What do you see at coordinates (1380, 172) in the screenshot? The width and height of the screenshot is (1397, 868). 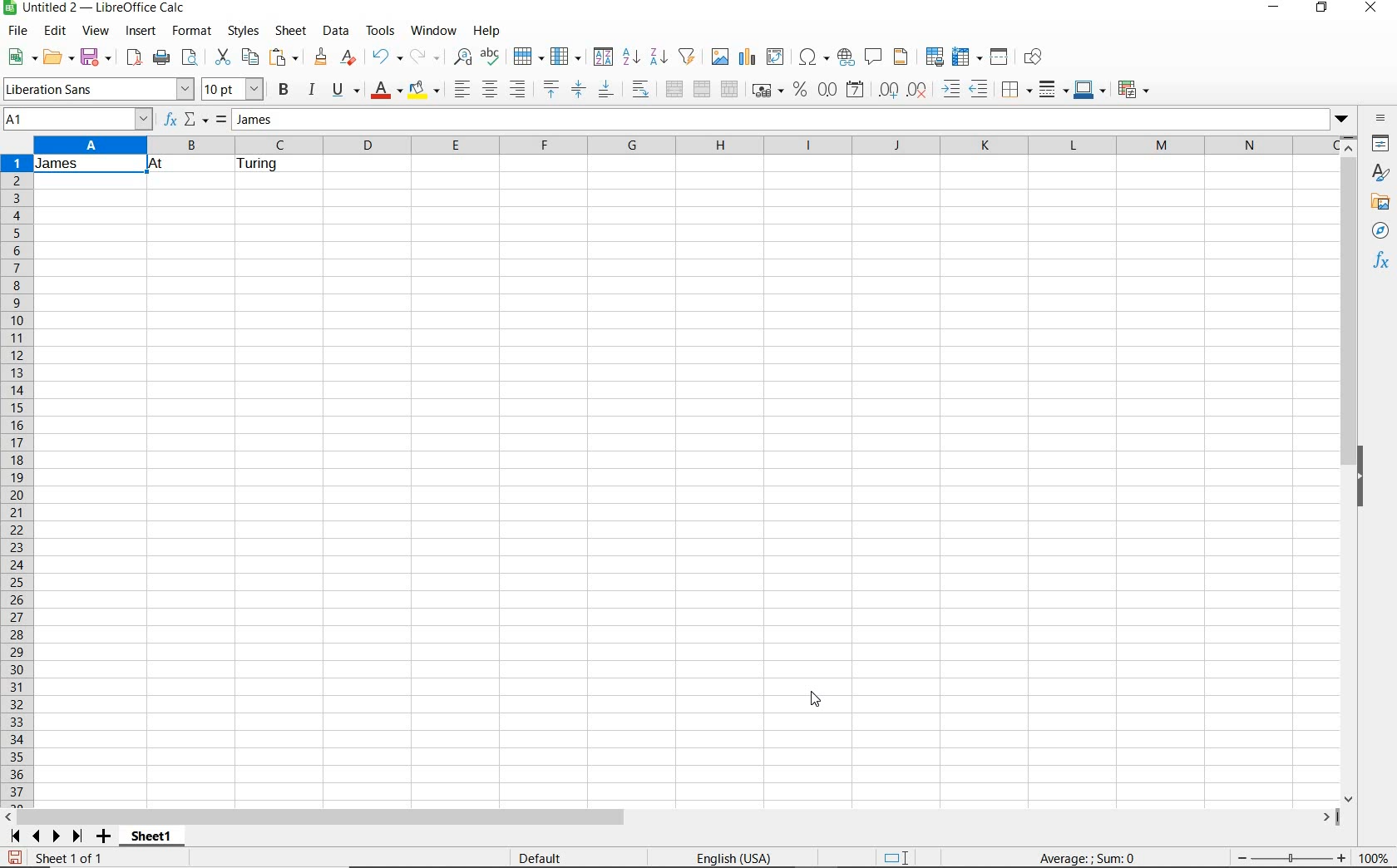 I see `styles` at bounding box center [1380, 172].